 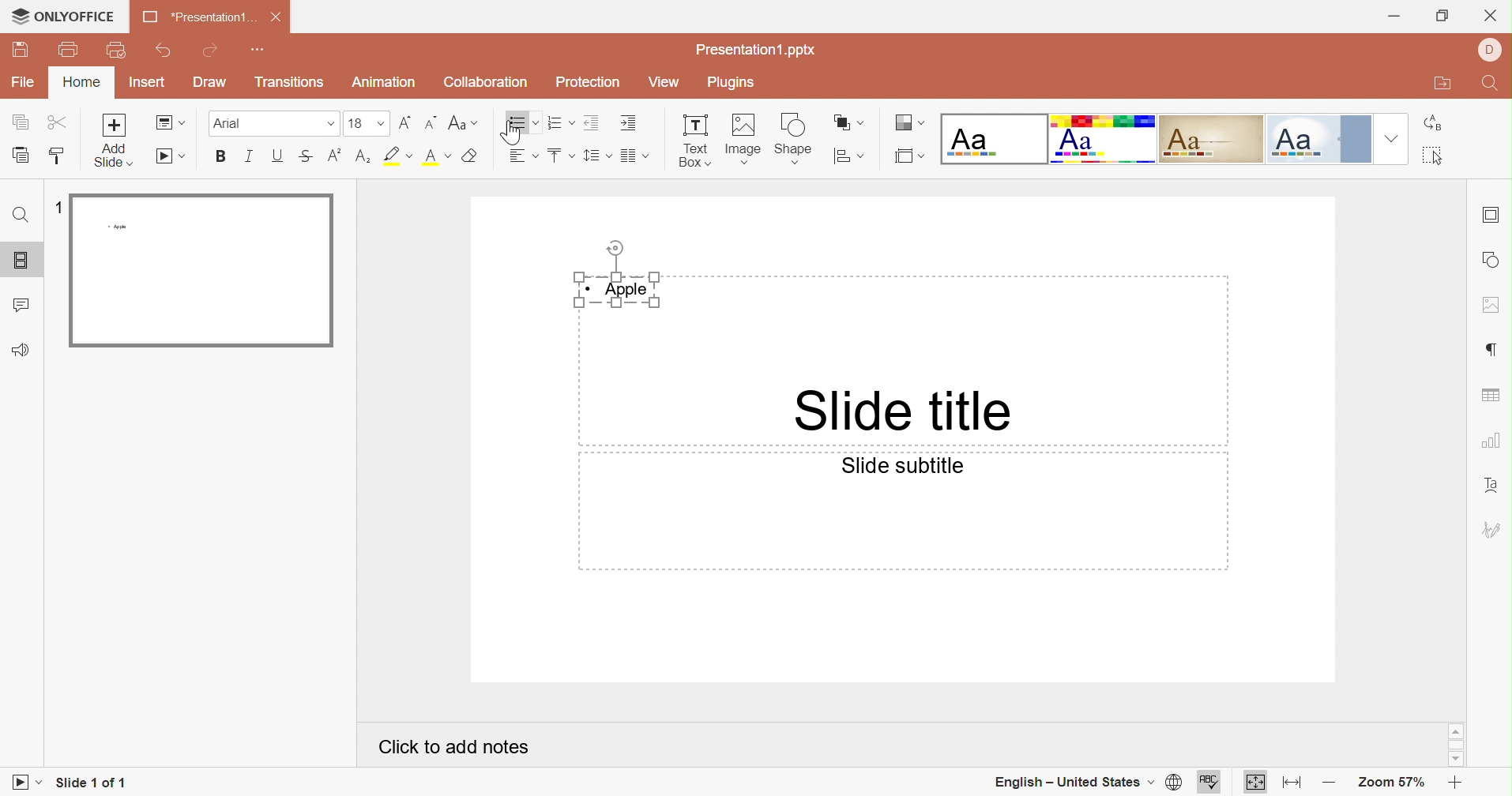 I want to click on Plugins, so click(x=734, y=82).